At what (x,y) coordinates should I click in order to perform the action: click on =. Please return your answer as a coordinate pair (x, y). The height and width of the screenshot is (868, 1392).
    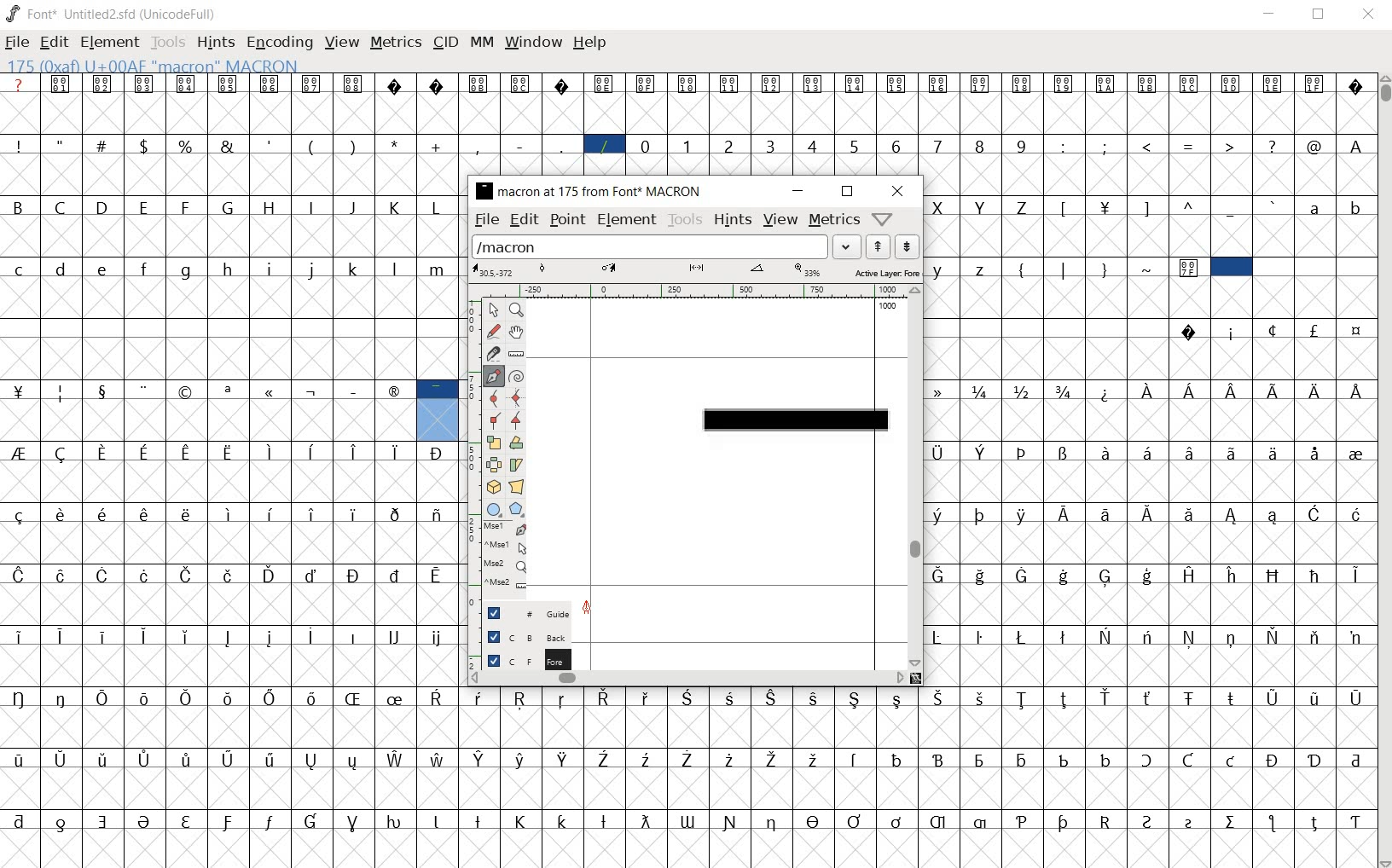
    Looking at the image, I should click on (1192, 145).